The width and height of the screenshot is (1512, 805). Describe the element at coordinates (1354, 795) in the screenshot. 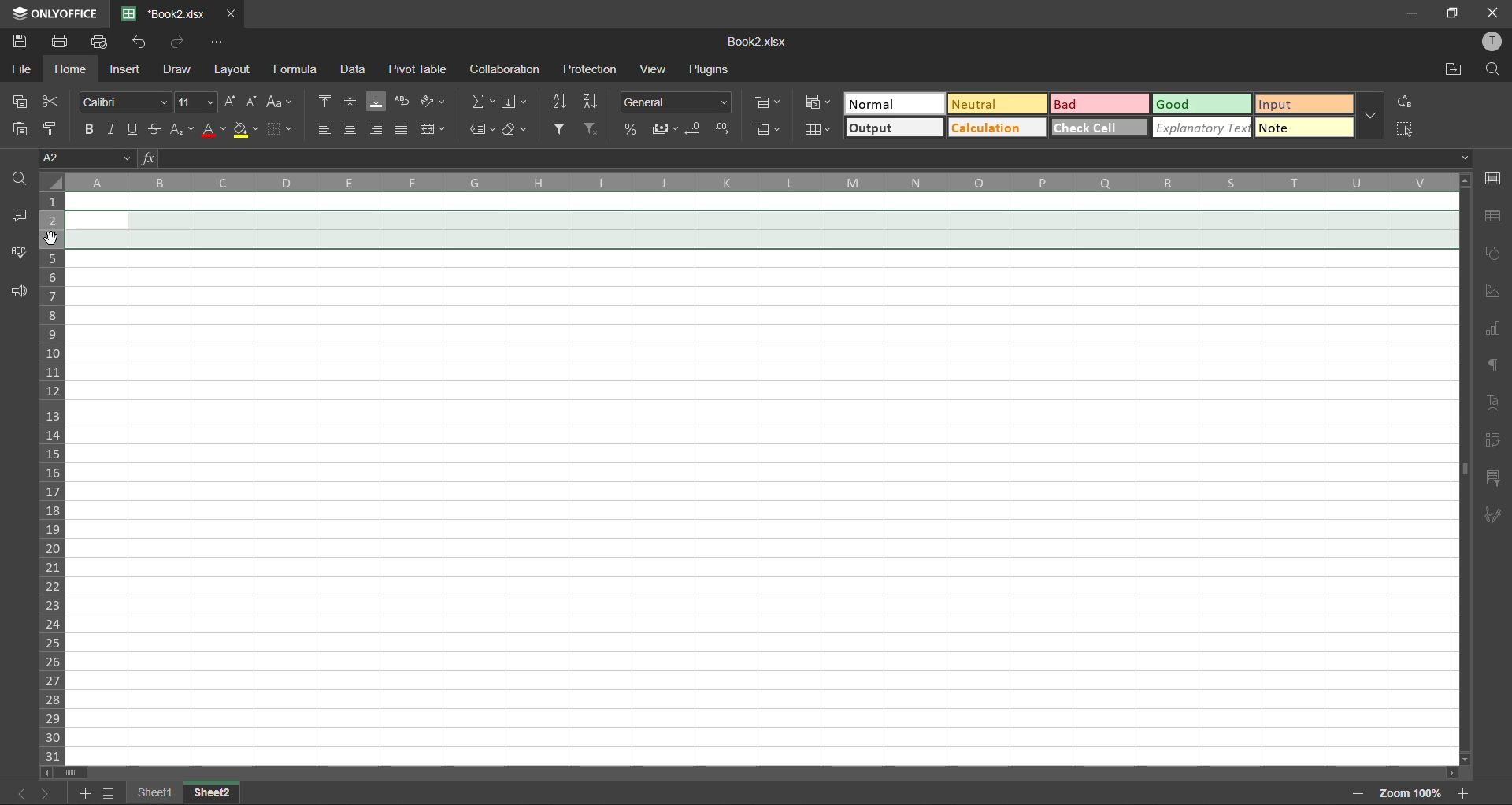

I see `zoom out` at that location.